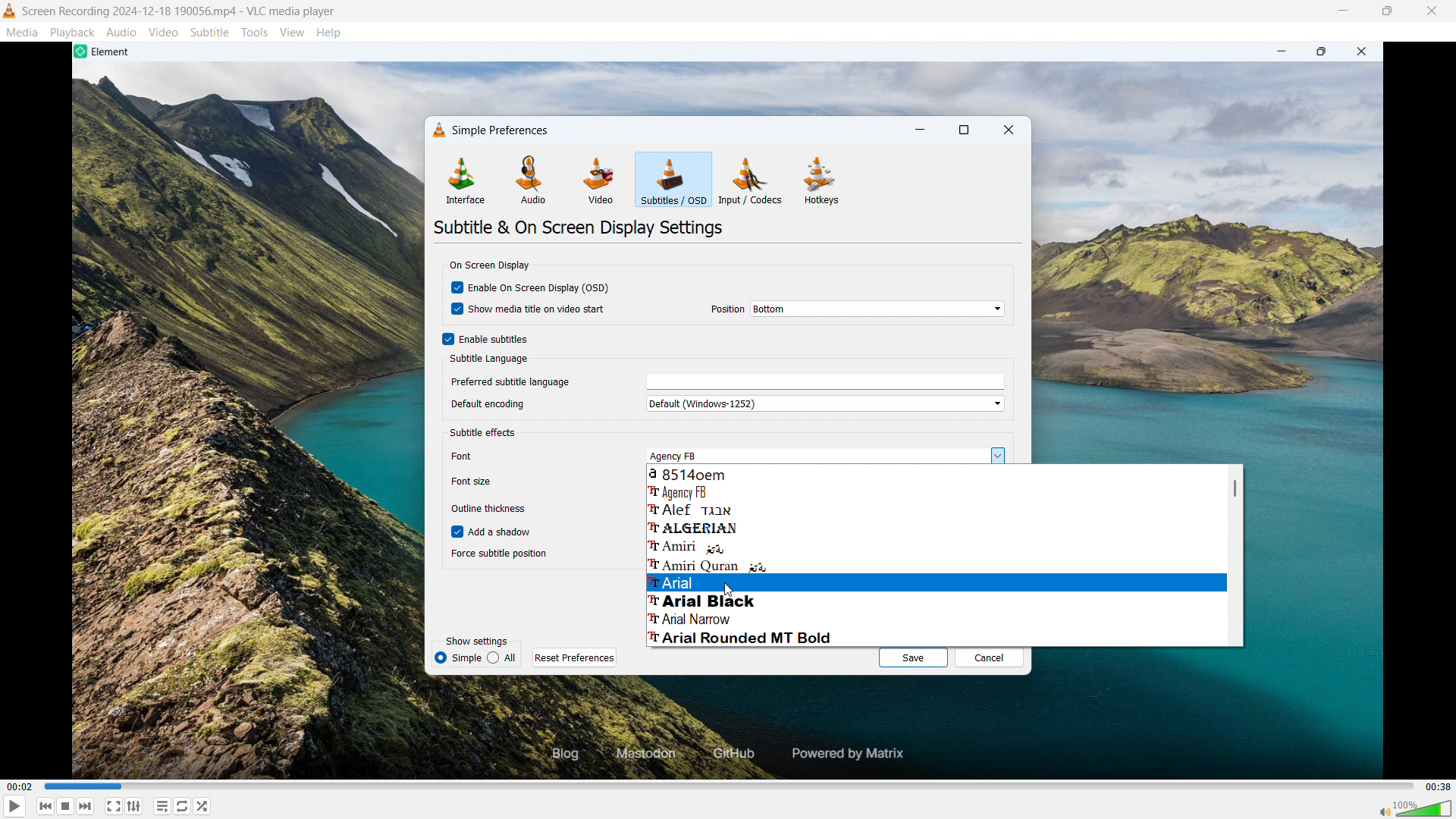 This screenshot has width=1456, height=819. Describe the element at coordinates (531, 180) in the screenshot. I see `audio` at that location.